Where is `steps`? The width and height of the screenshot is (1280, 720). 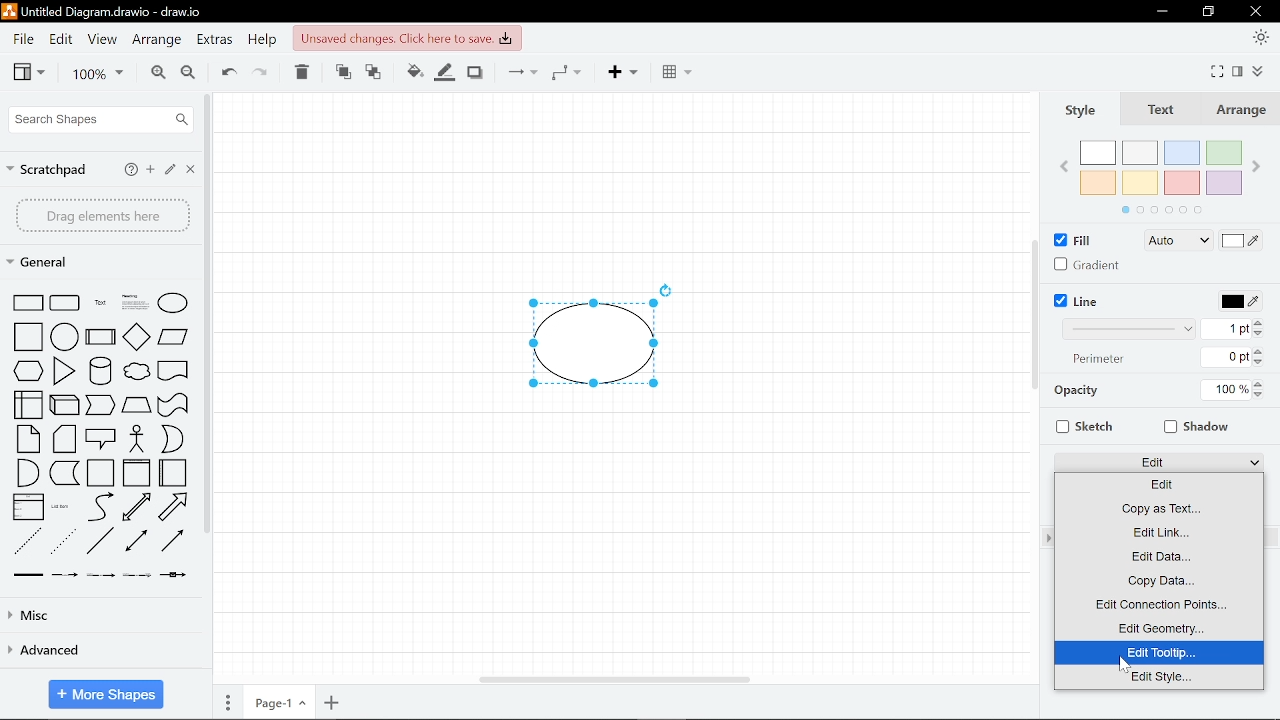 steps is located at coordinates (102, 406).